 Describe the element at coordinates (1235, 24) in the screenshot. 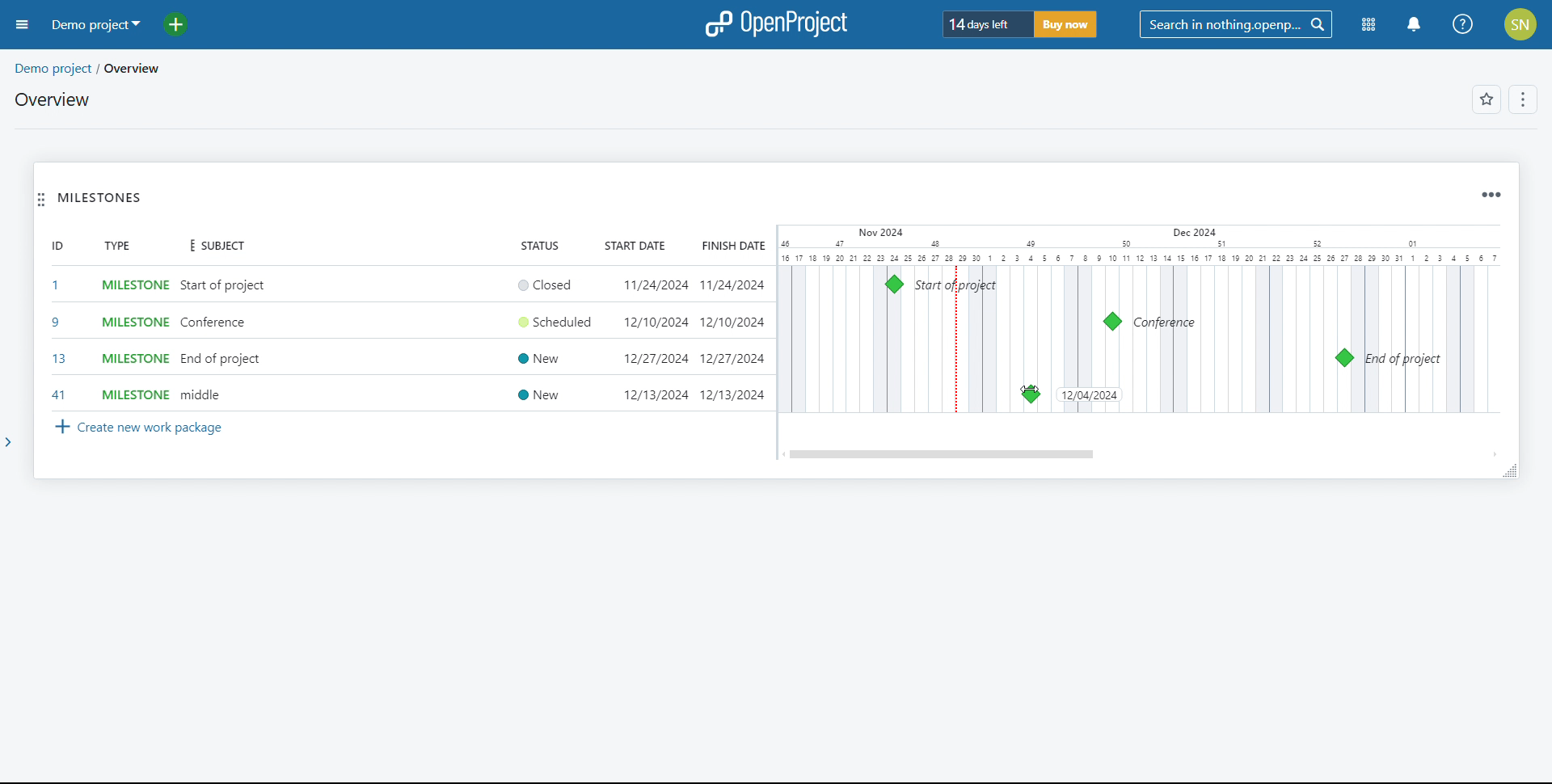

I see `search` at that location.